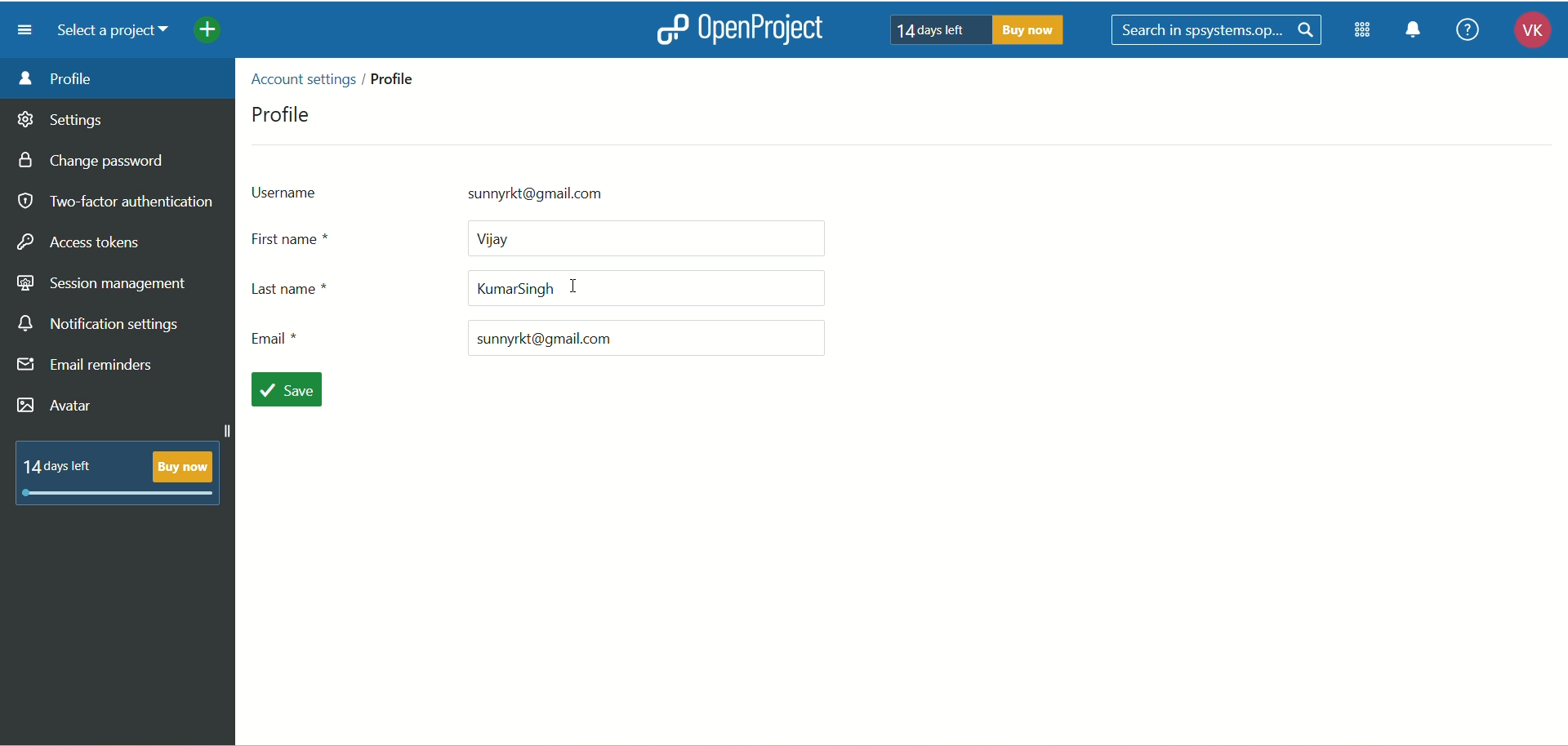 This screenshot has height=746, width=1568. Describe the element at coordinates (1467, 29) in the screenshot. I see `help` at that location.